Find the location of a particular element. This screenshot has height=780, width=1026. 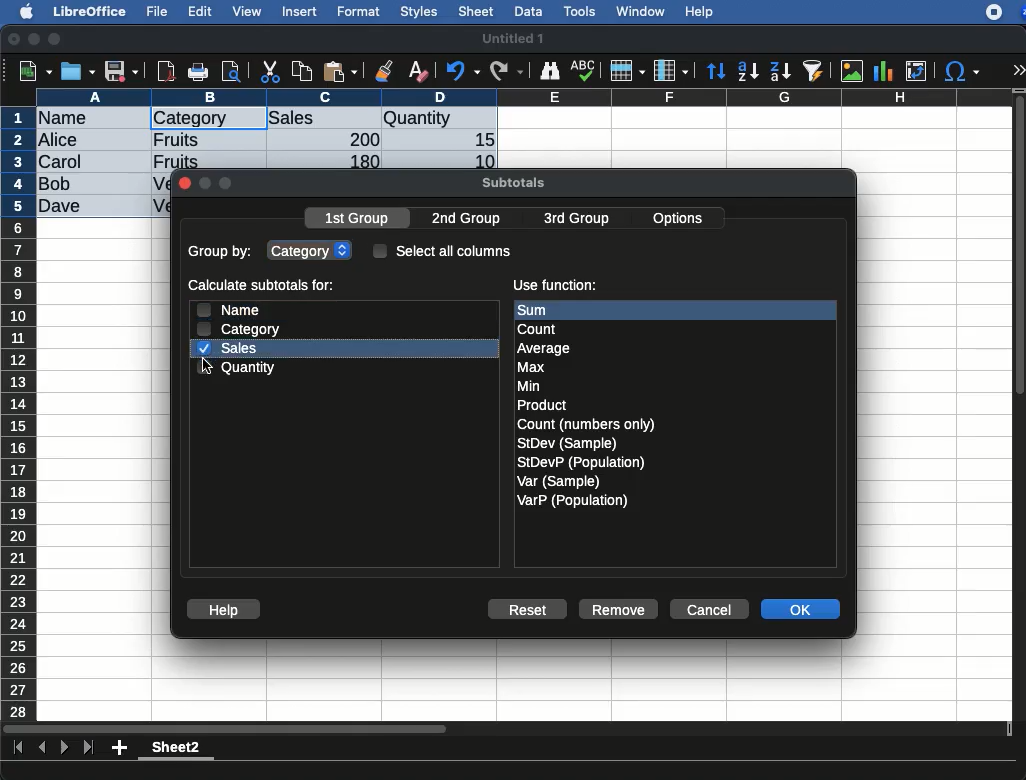

data is located at coordinates (528, 9).